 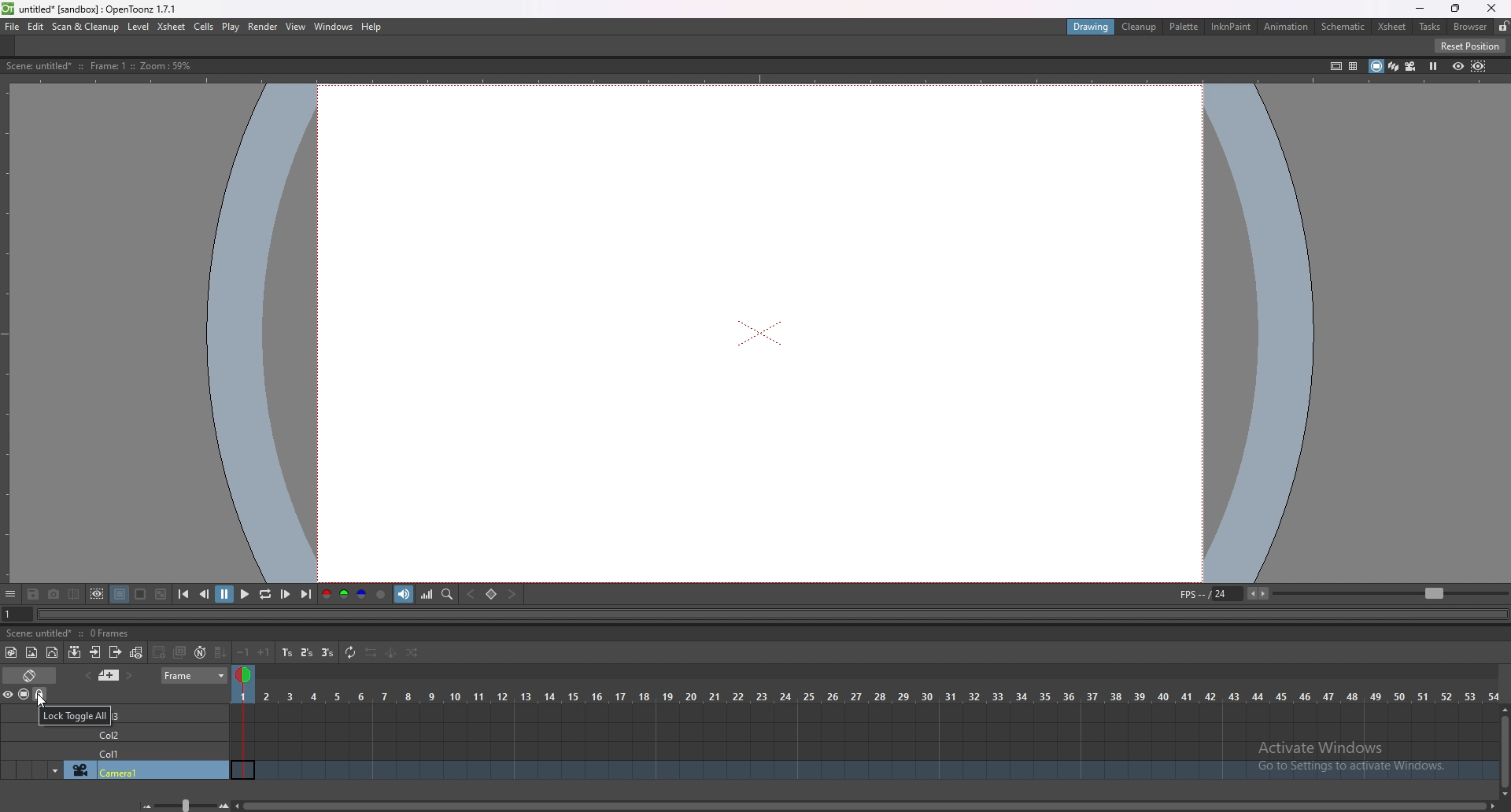 What do you see at coordinates (244, 595) in the screenshot?
I see `play` at bounding box center [244, 595].